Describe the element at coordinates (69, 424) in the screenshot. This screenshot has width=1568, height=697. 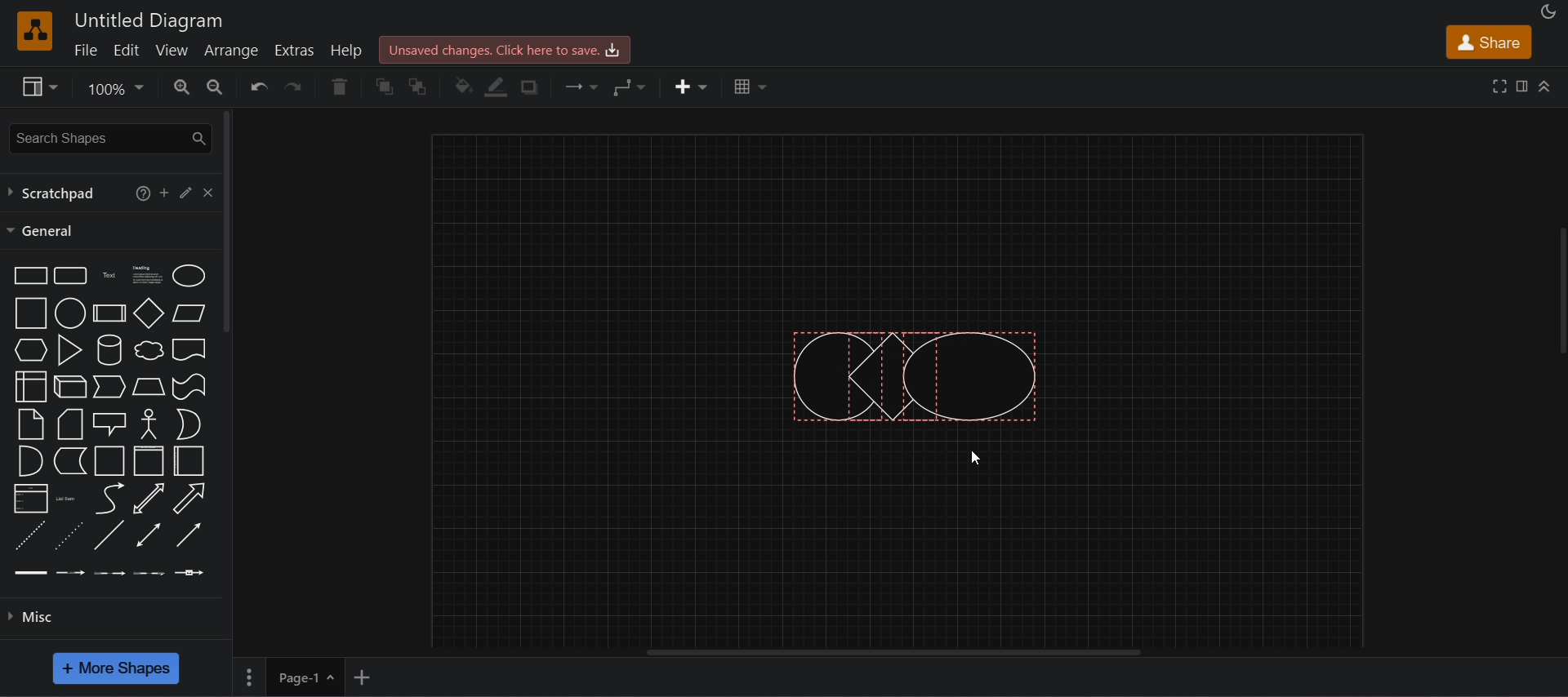
I see `card` at that location.